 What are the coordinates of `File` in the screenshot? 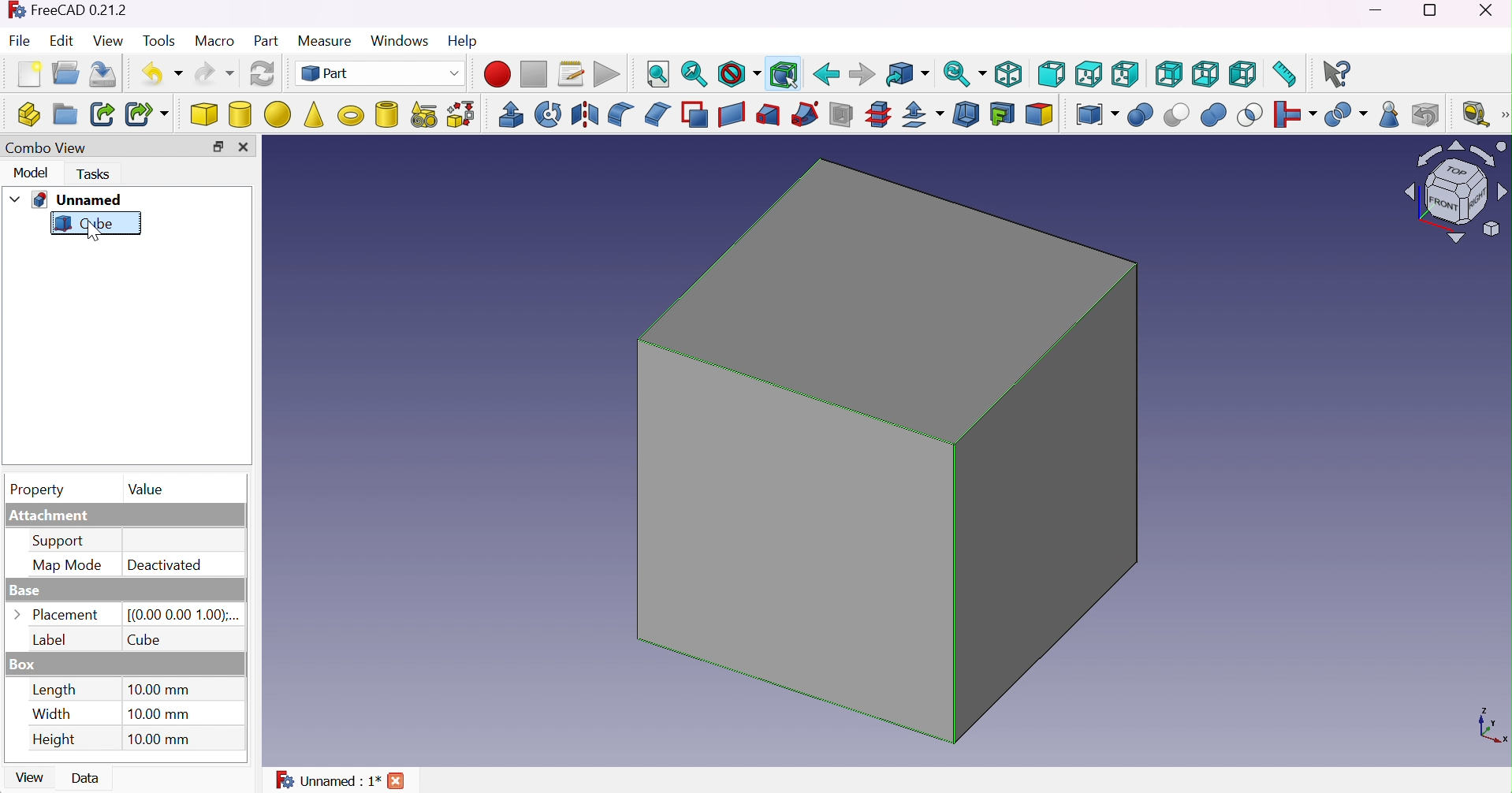 It's located at (20, 41).